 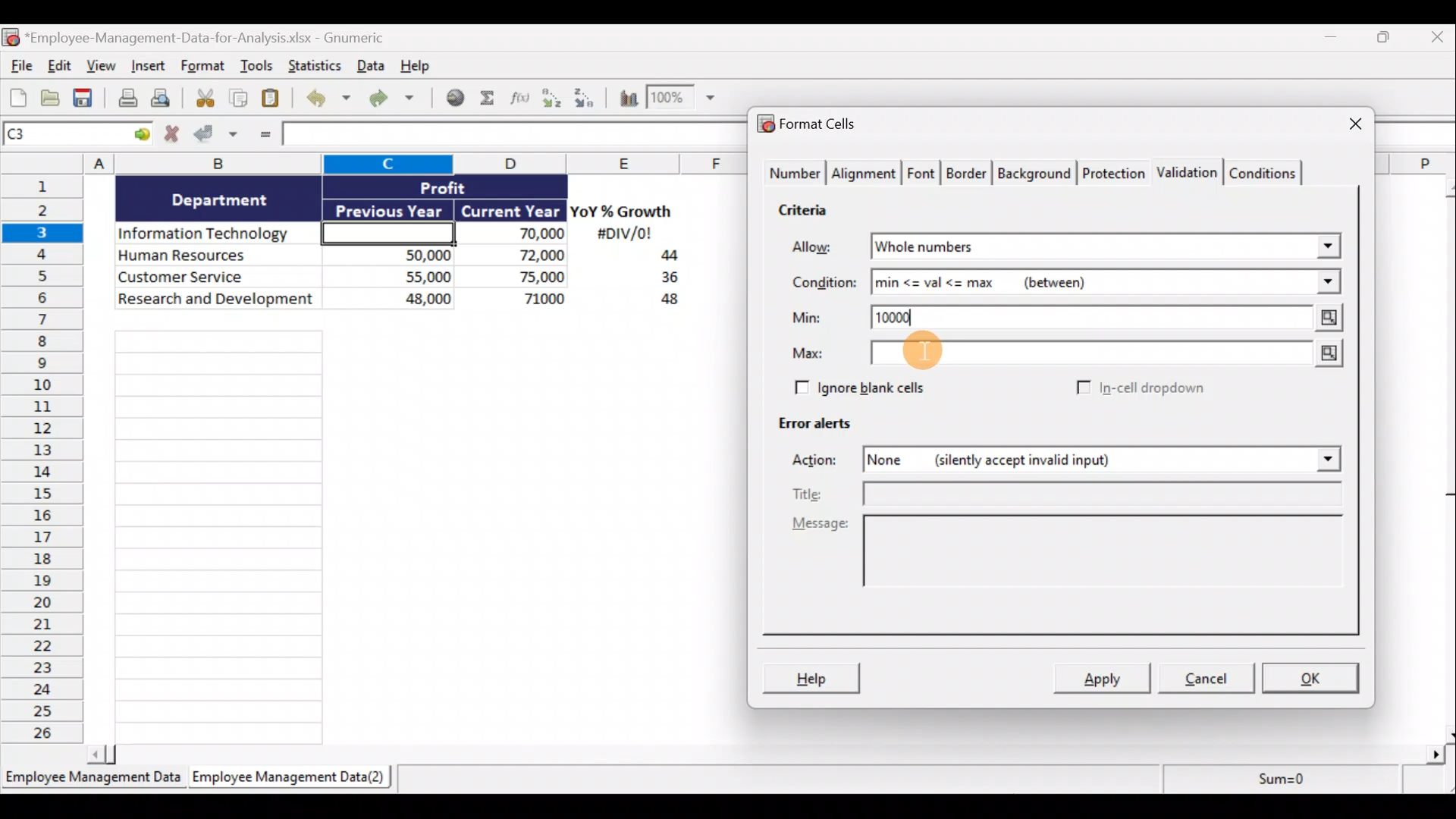 What do you see at coordinates (823, 283) in the screenshot?
I see `Condition` at bounding box center [823, 283].